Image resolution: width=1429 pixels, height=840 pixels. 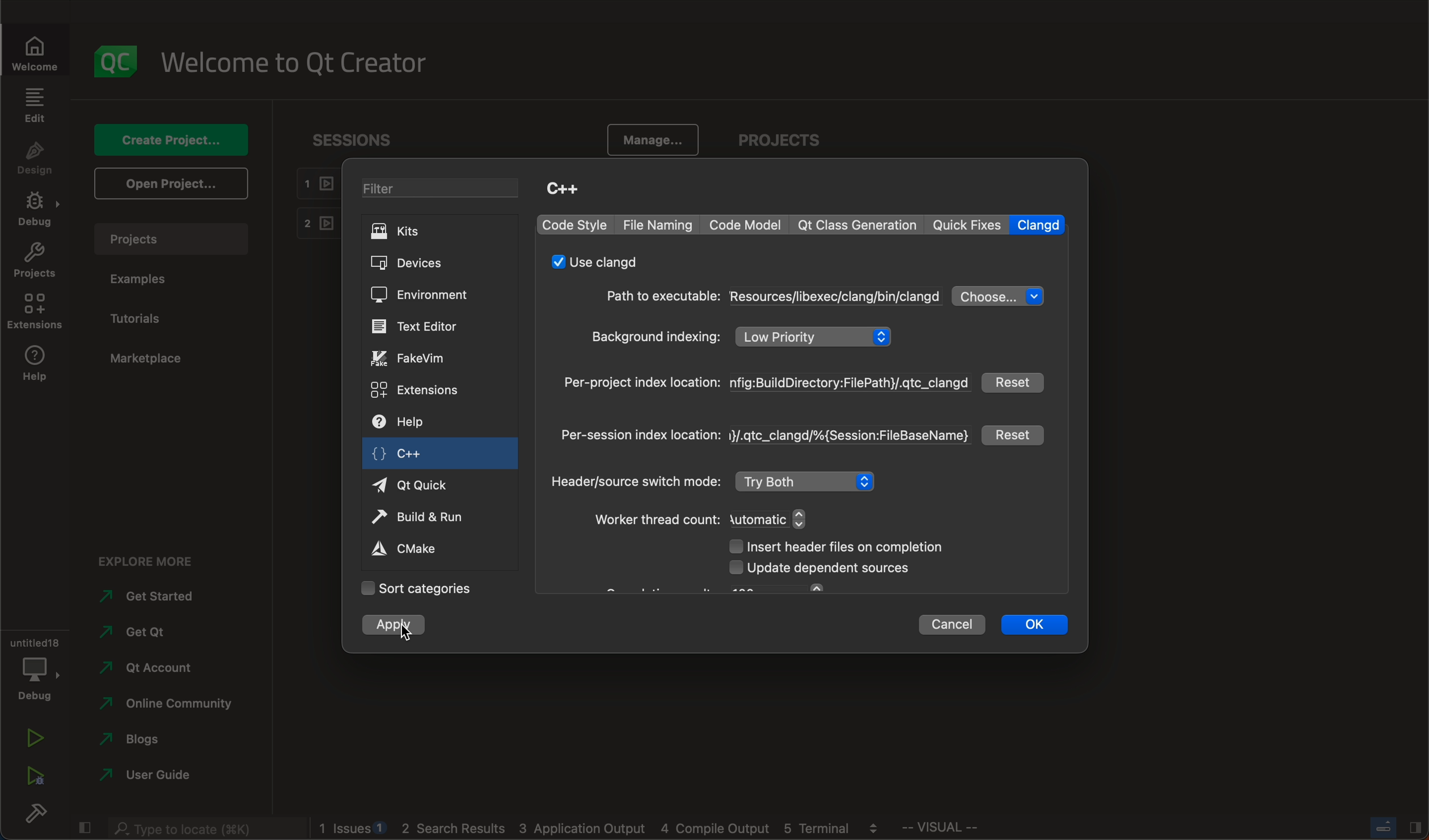 What do you see at coordinates (599, 829) in the screenshot?
I see `logs` at bounding box center [599, 829].